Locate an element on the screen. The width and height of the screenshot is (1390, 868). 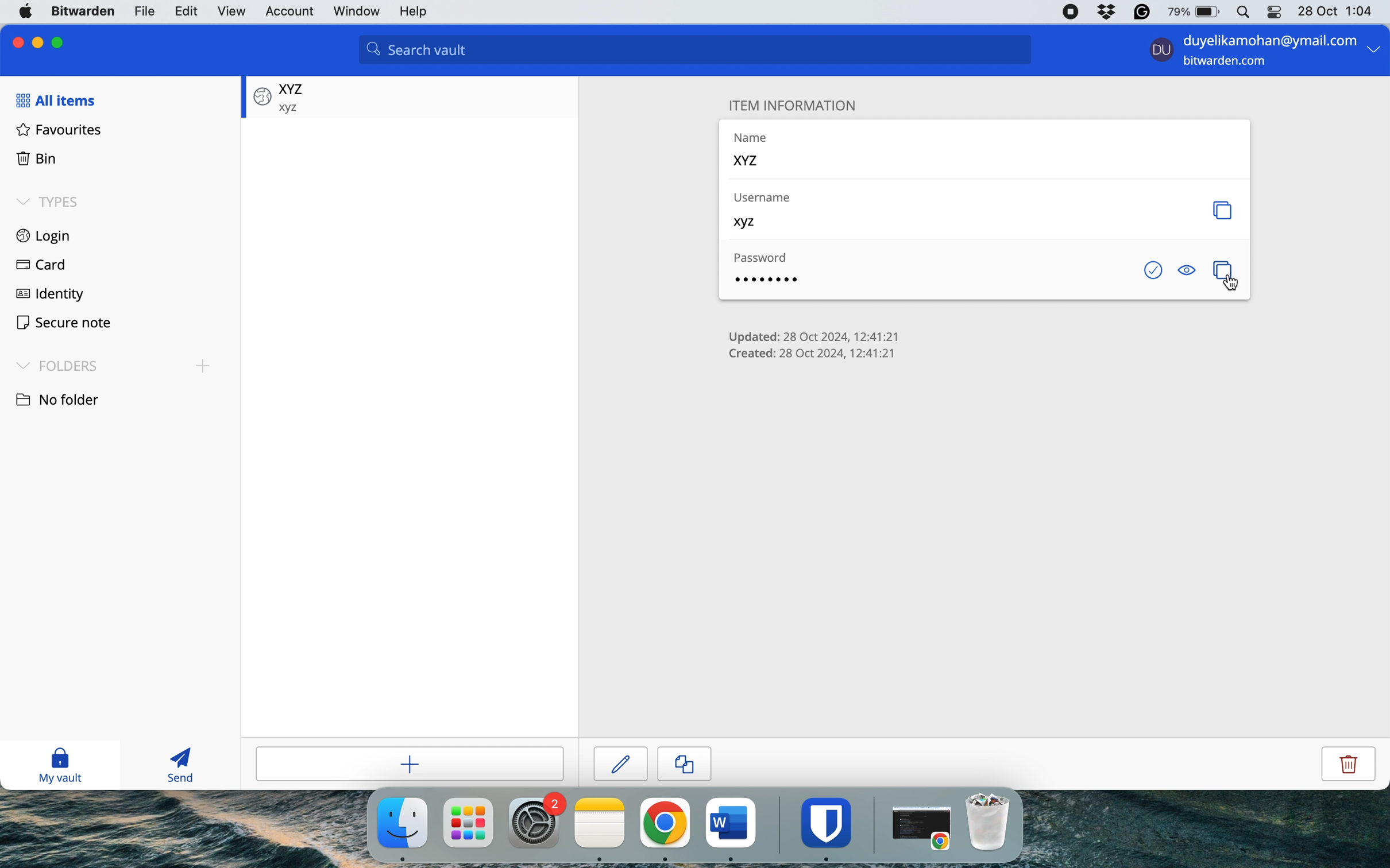
favourites is located at coordinates (60, 129).